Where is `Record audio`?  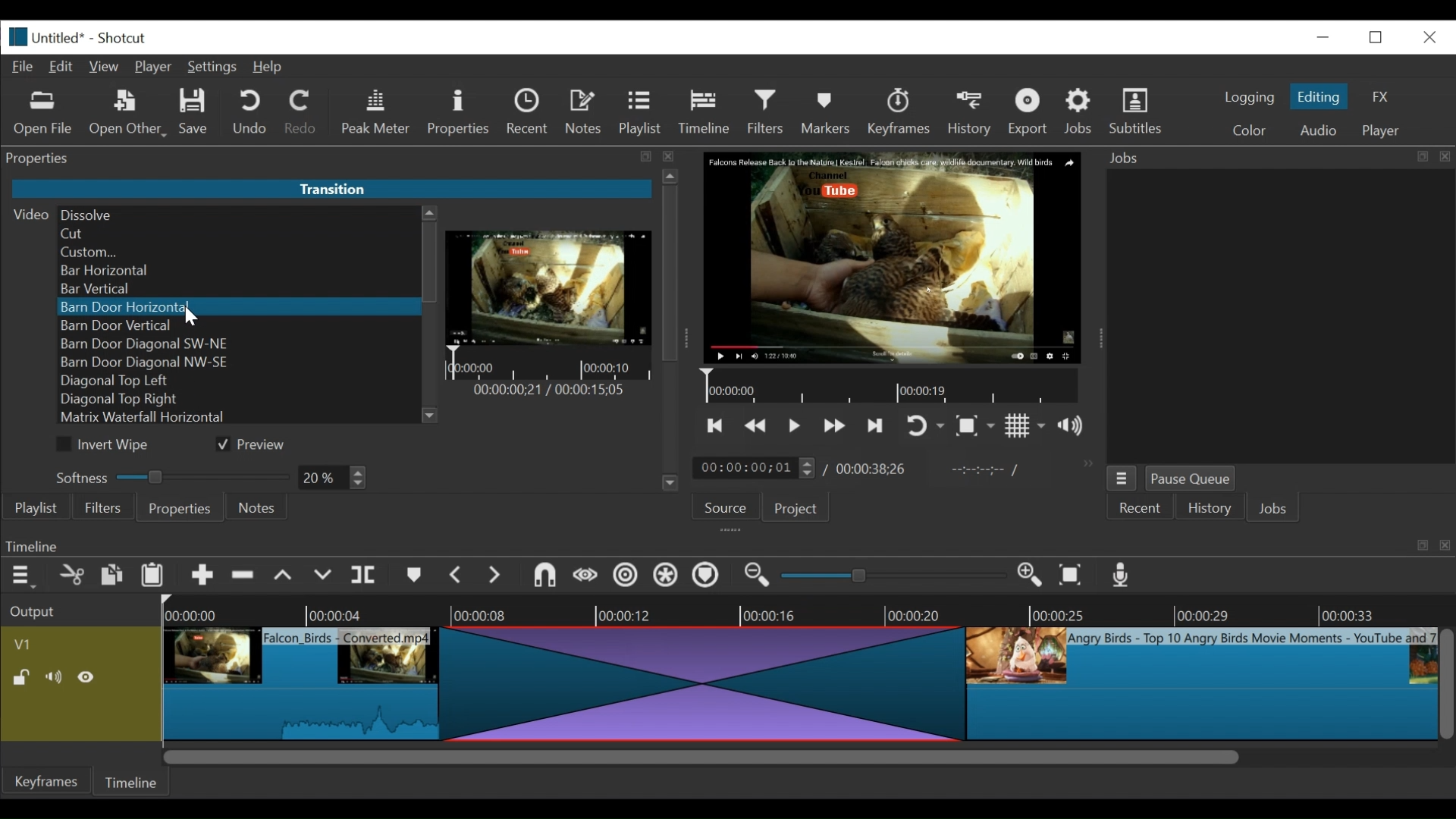
Record audio is located at coordinates (1122, 579).